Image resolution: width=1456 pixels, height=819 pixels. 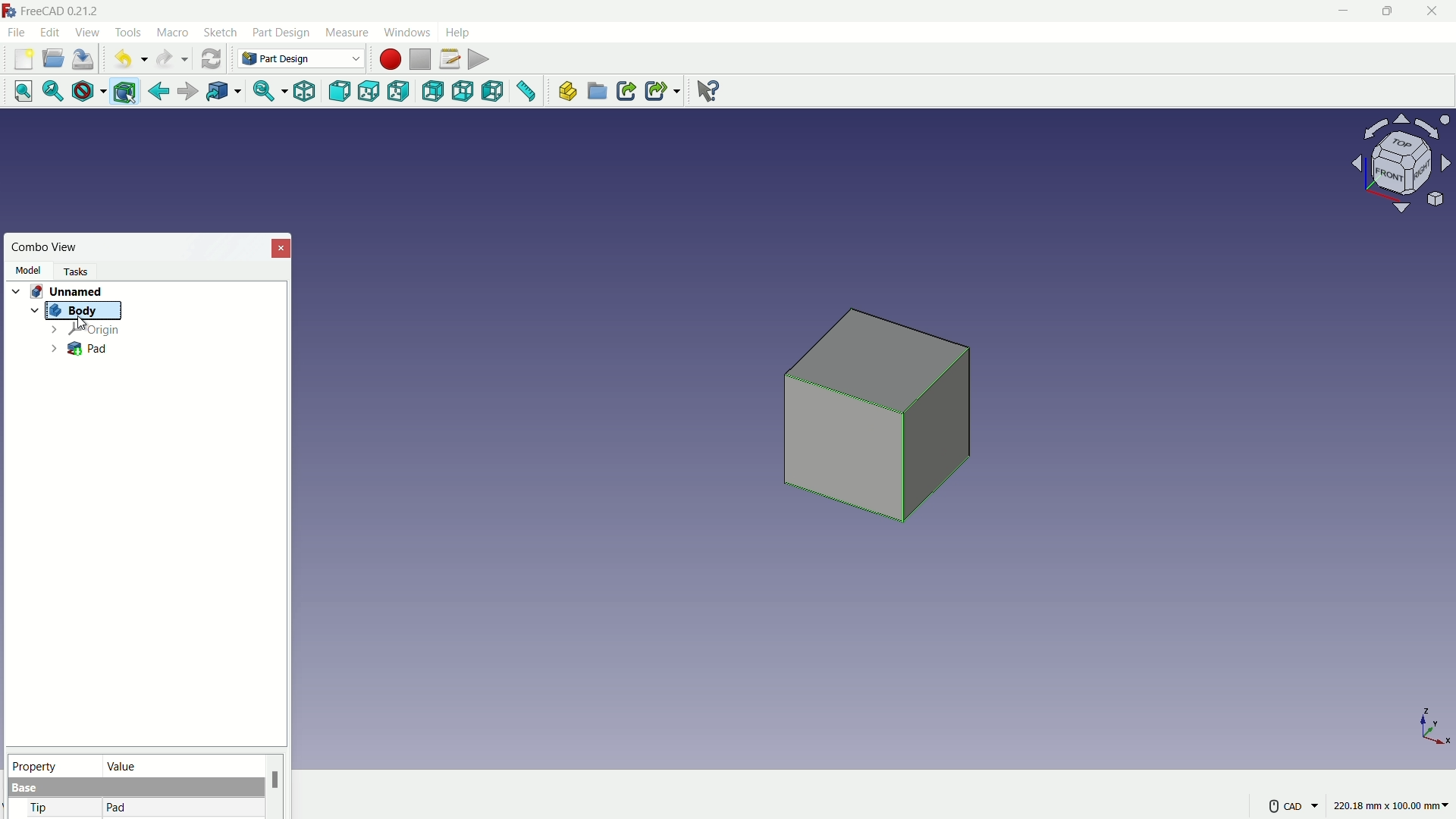 What do you see at coordinates (130, 33) in the screenshot?
I see `tools` at bounding box center [130, 33].